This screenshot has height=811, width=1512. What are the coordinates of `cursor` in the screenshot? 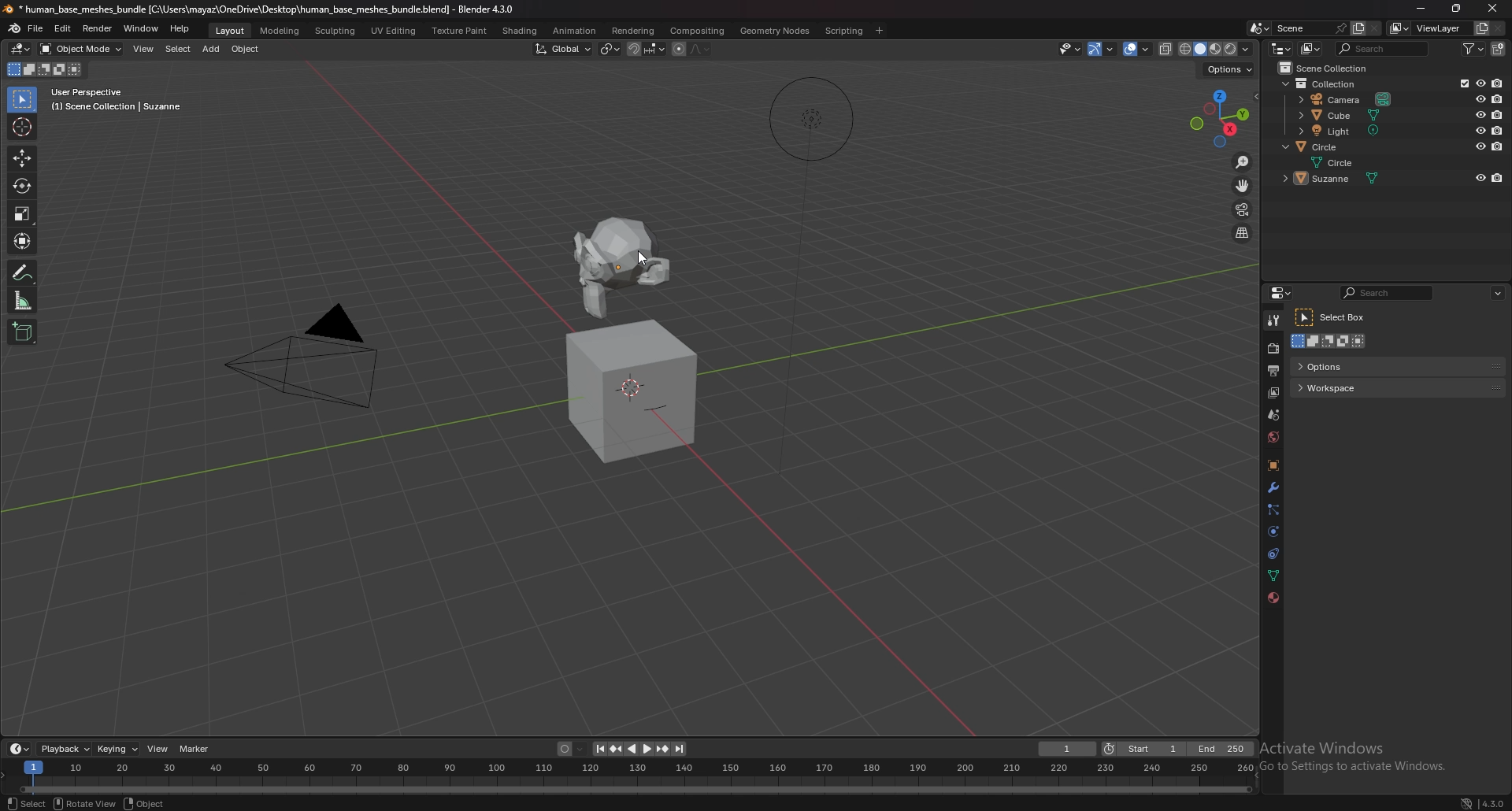 It's located at (24, 127).